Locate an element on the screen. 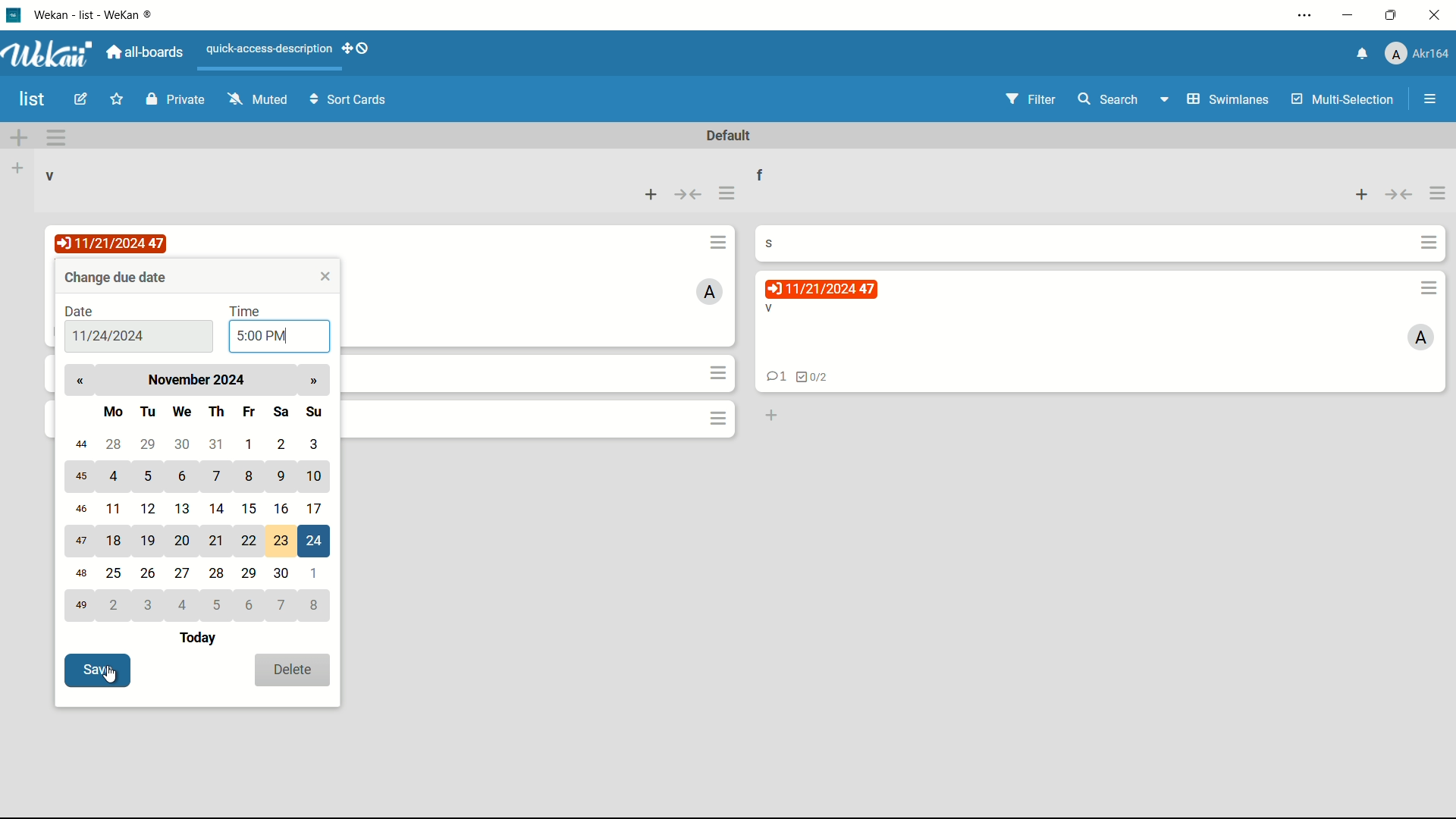 This screenshot has width=1456, height=819. 17 is located at coordinates (320, 509).